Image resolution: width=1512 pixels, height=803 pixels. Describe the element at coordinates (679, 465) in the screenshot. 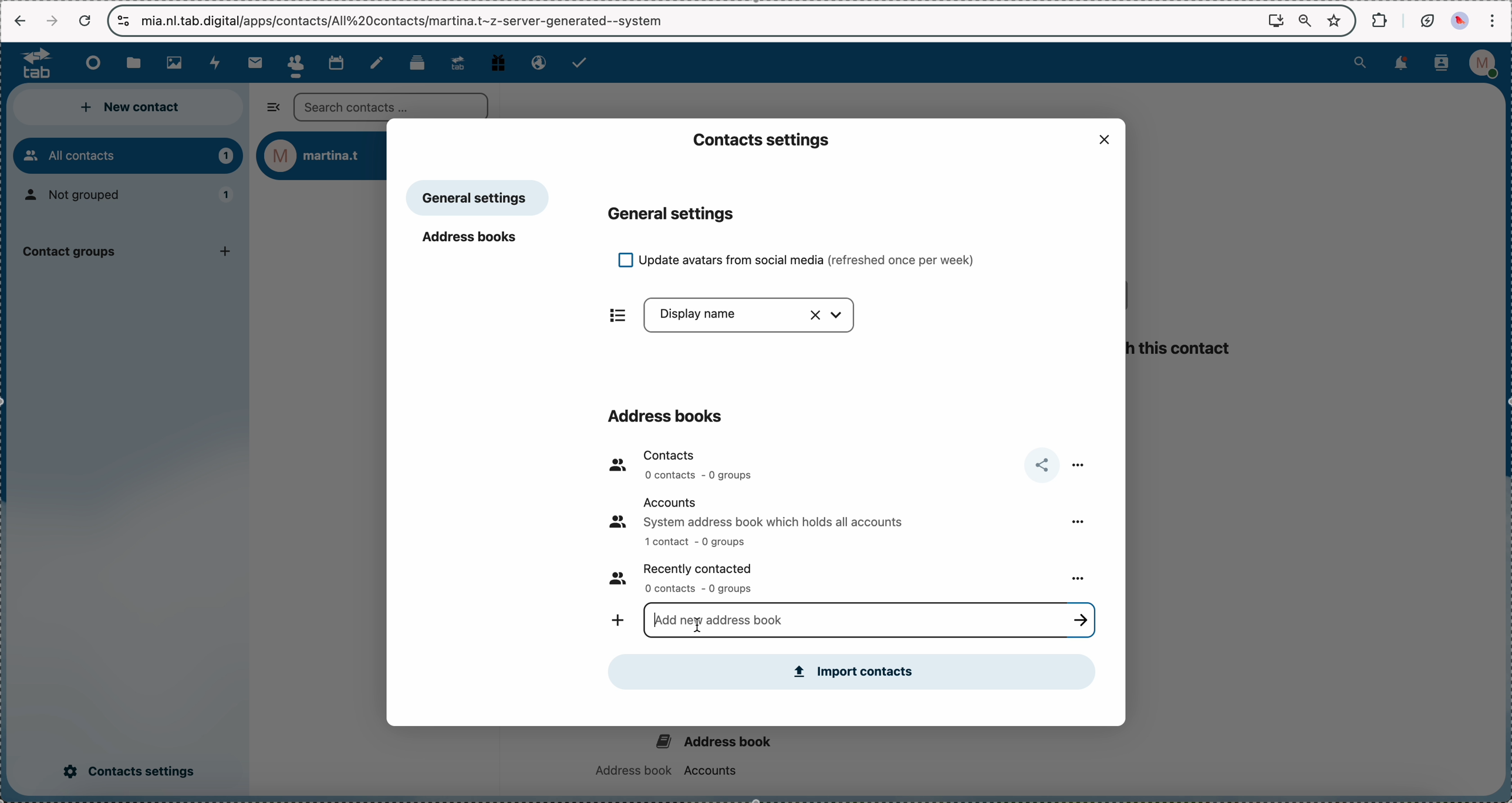

I see `contacts` at that location.